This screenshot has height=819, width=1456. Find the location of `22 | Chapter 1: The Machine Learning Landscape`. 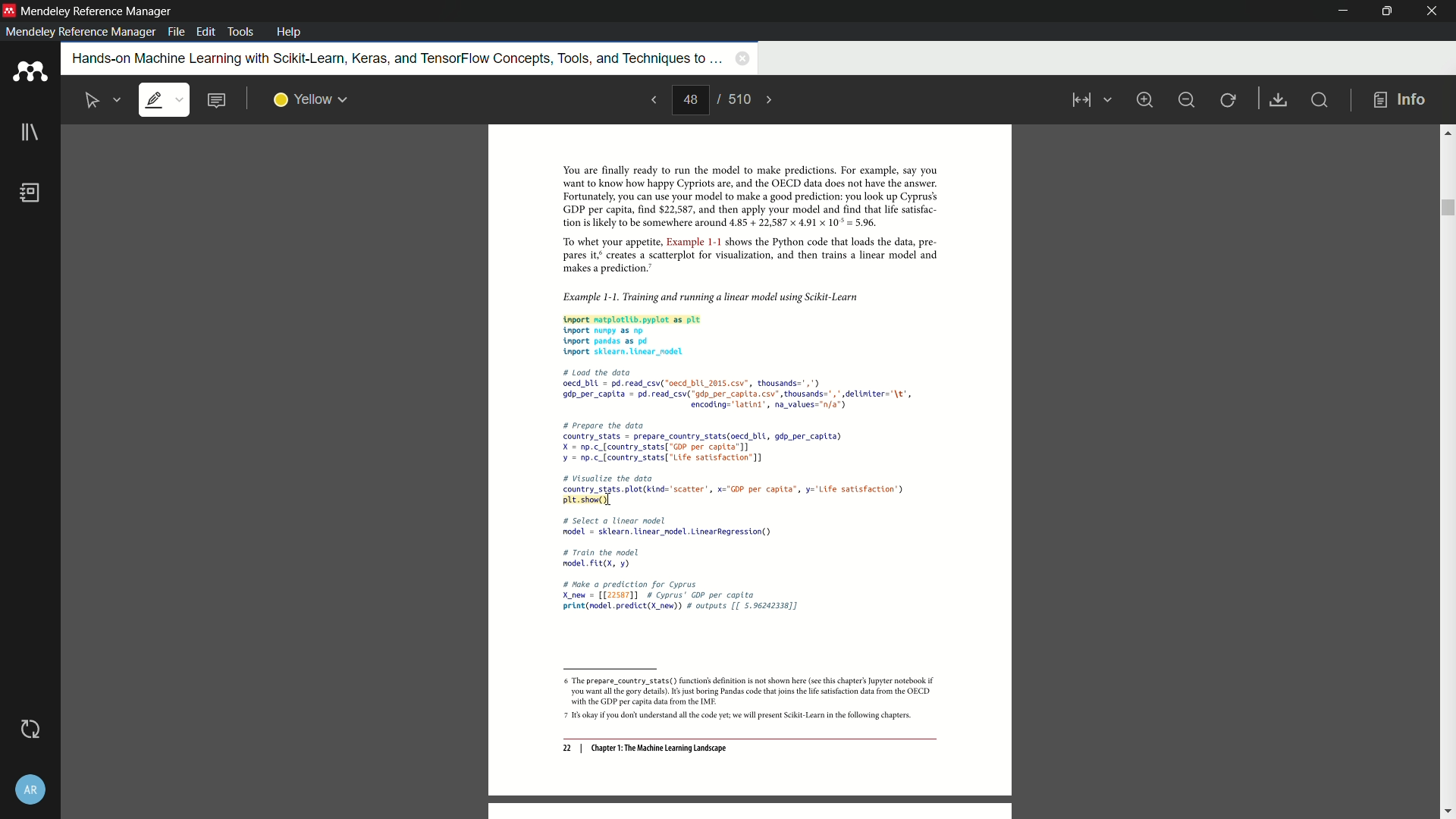

22 | Chapter 1: The Machine Learning Landscape is located at coordinates (645, 749).